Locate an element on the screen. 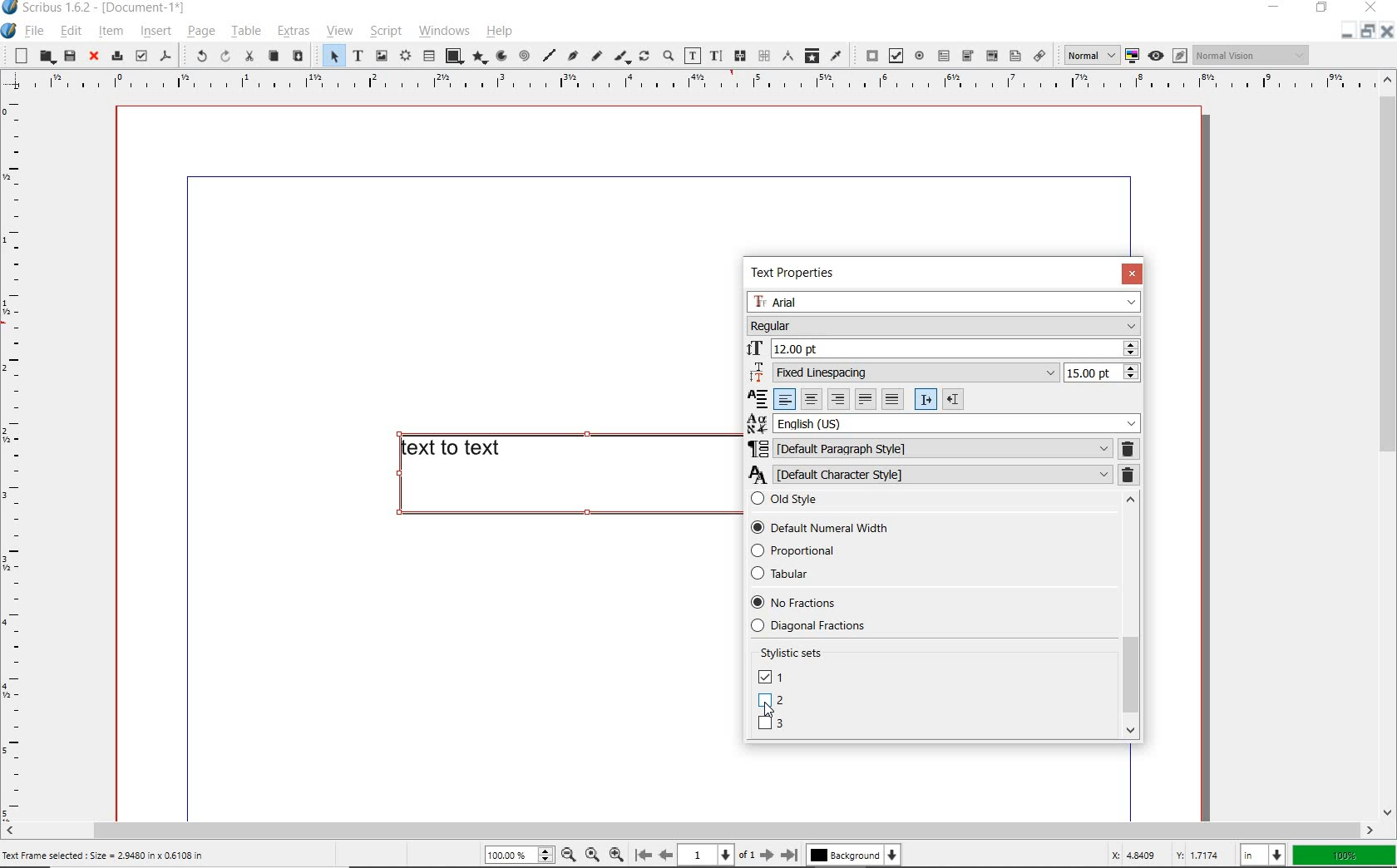  page is located at coordinates (200, 32).